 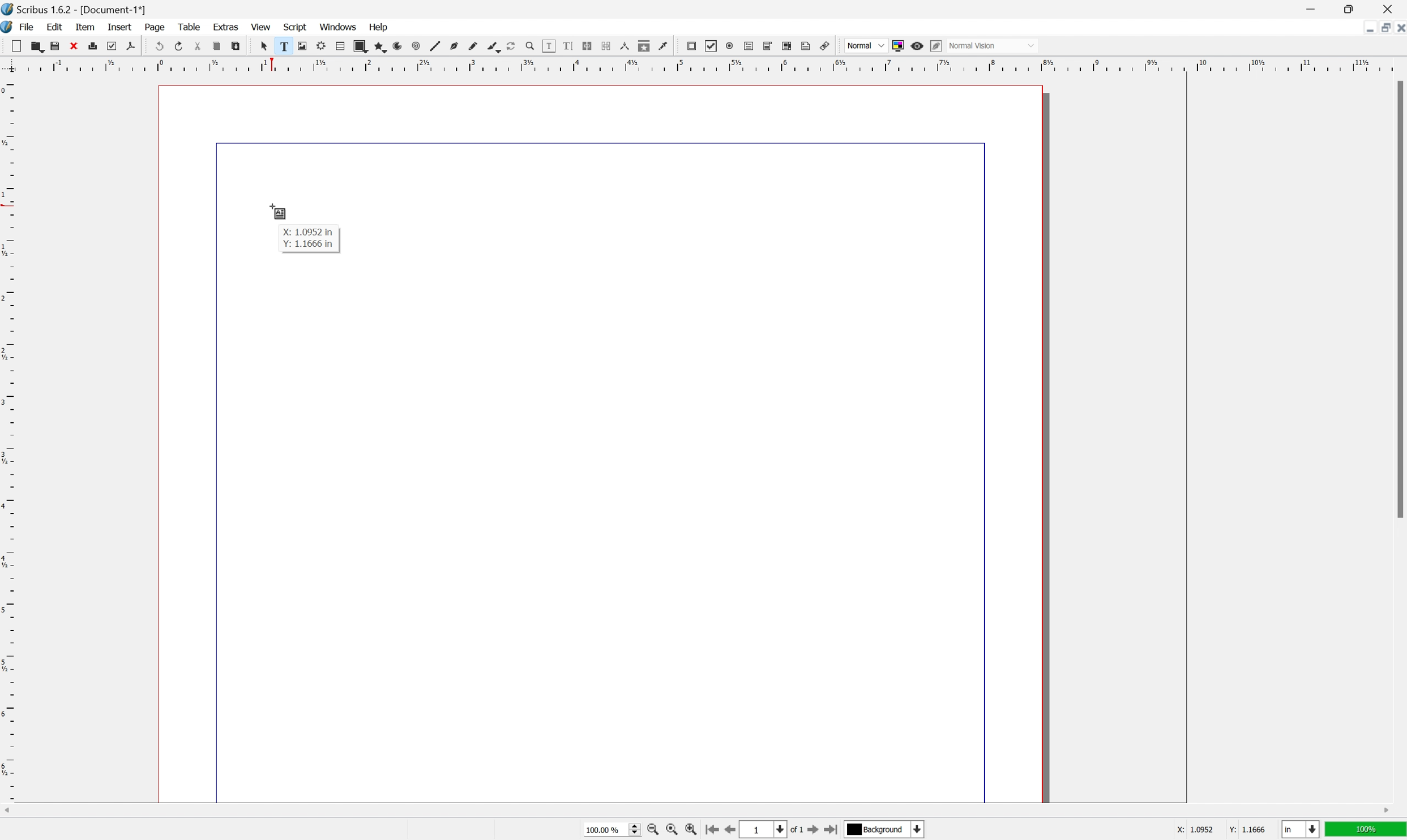 I want to click on application logo, so click(x=9, y=28).